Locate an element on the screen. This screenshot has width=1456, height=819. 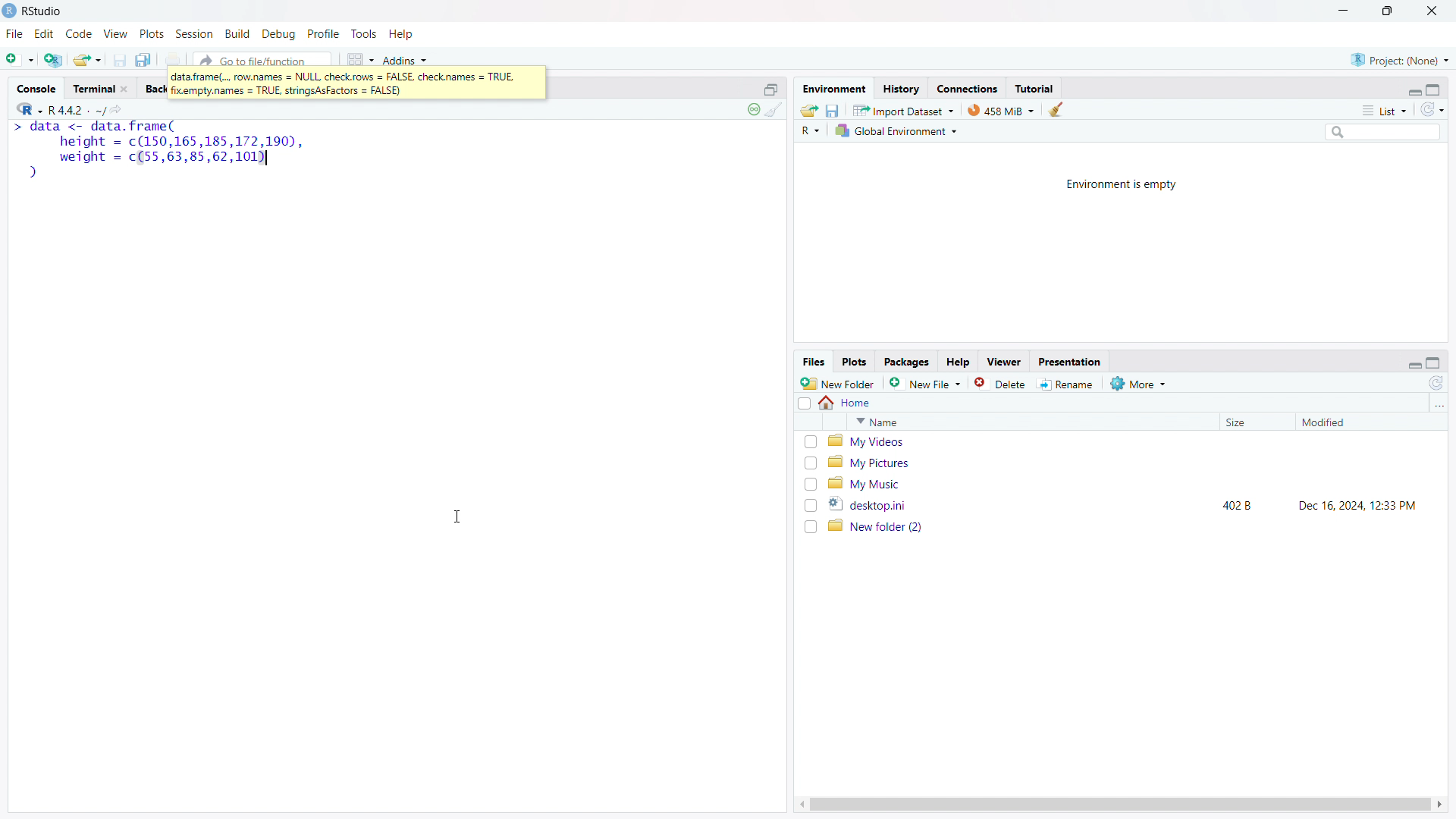
refresh the list of objects is located at coordinates (1432, 109).